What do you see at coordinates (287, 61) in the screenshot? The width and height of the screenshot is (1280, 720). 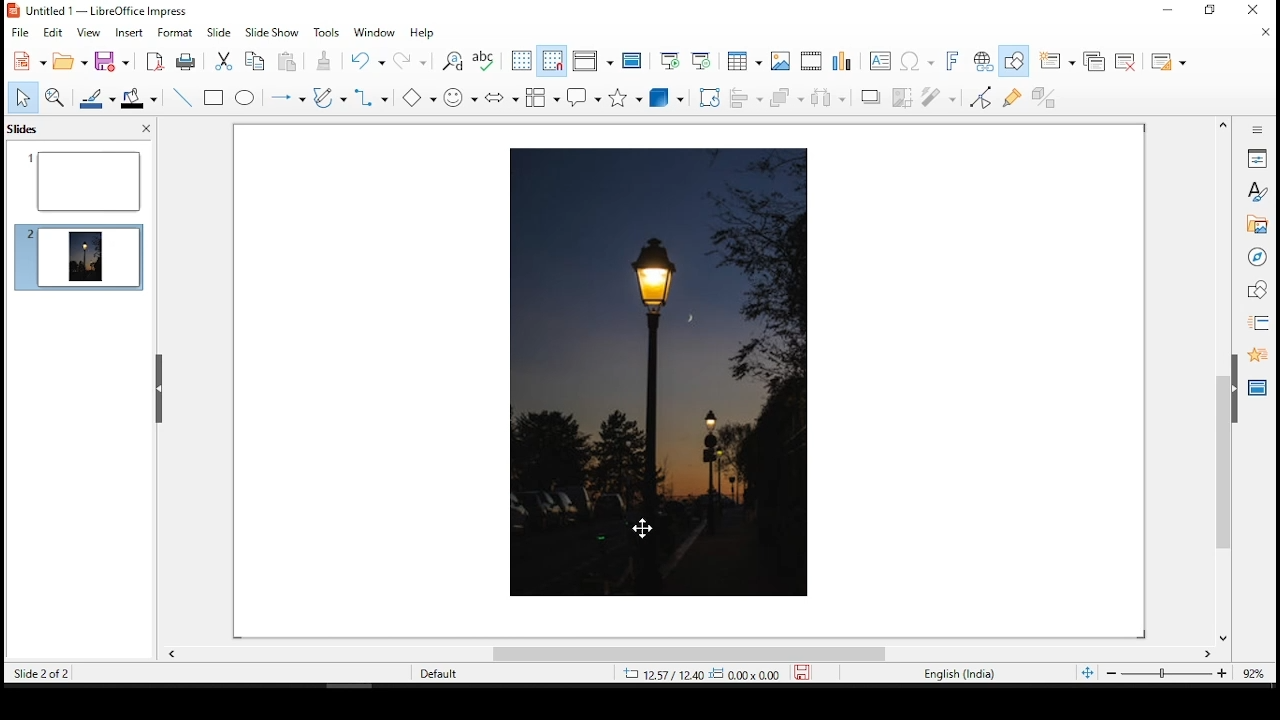 I see `paste` at bounding box center [287, 61].